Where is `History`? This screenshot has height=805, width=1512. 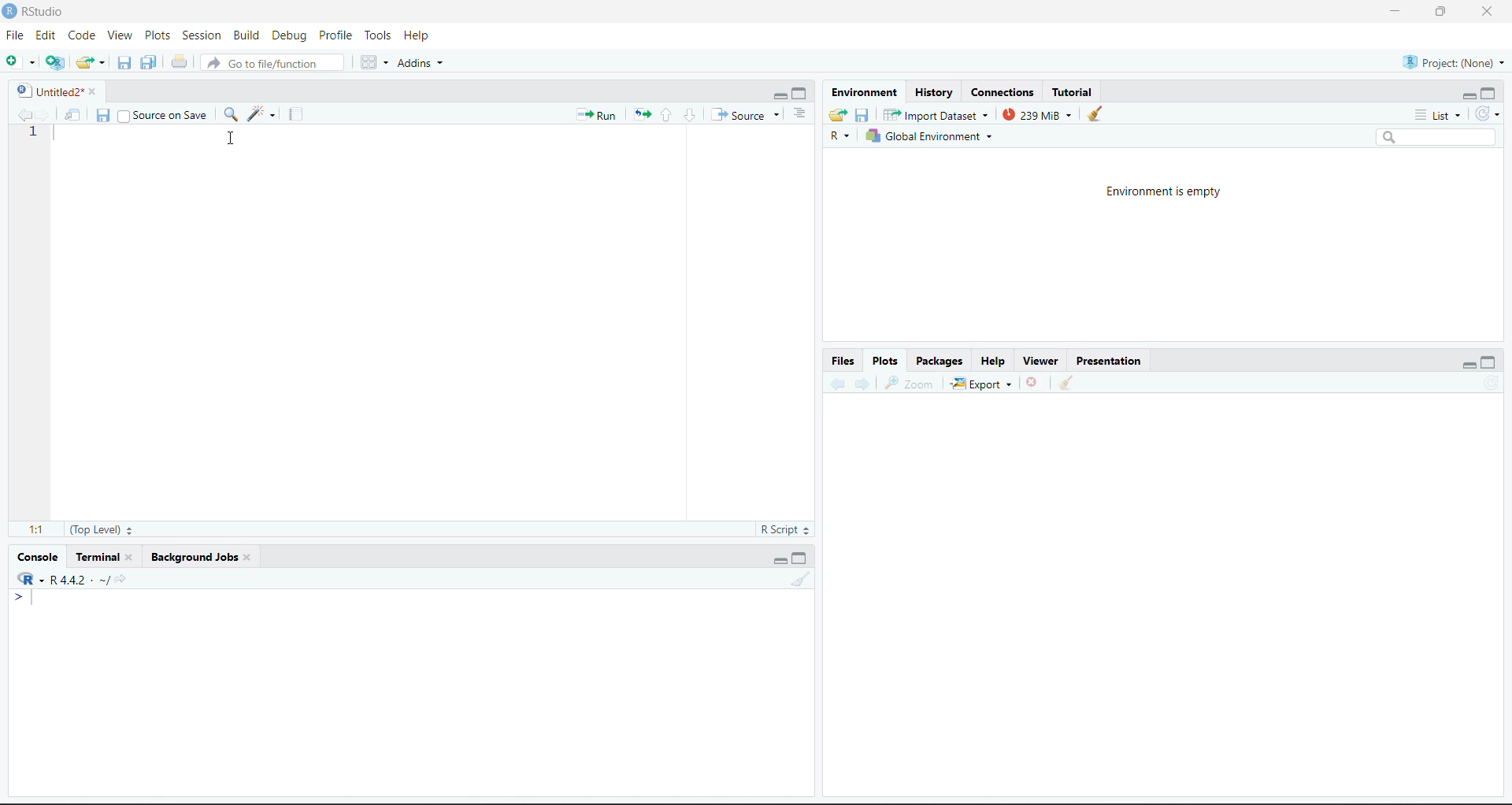 History is located at coordinates (934, 93).